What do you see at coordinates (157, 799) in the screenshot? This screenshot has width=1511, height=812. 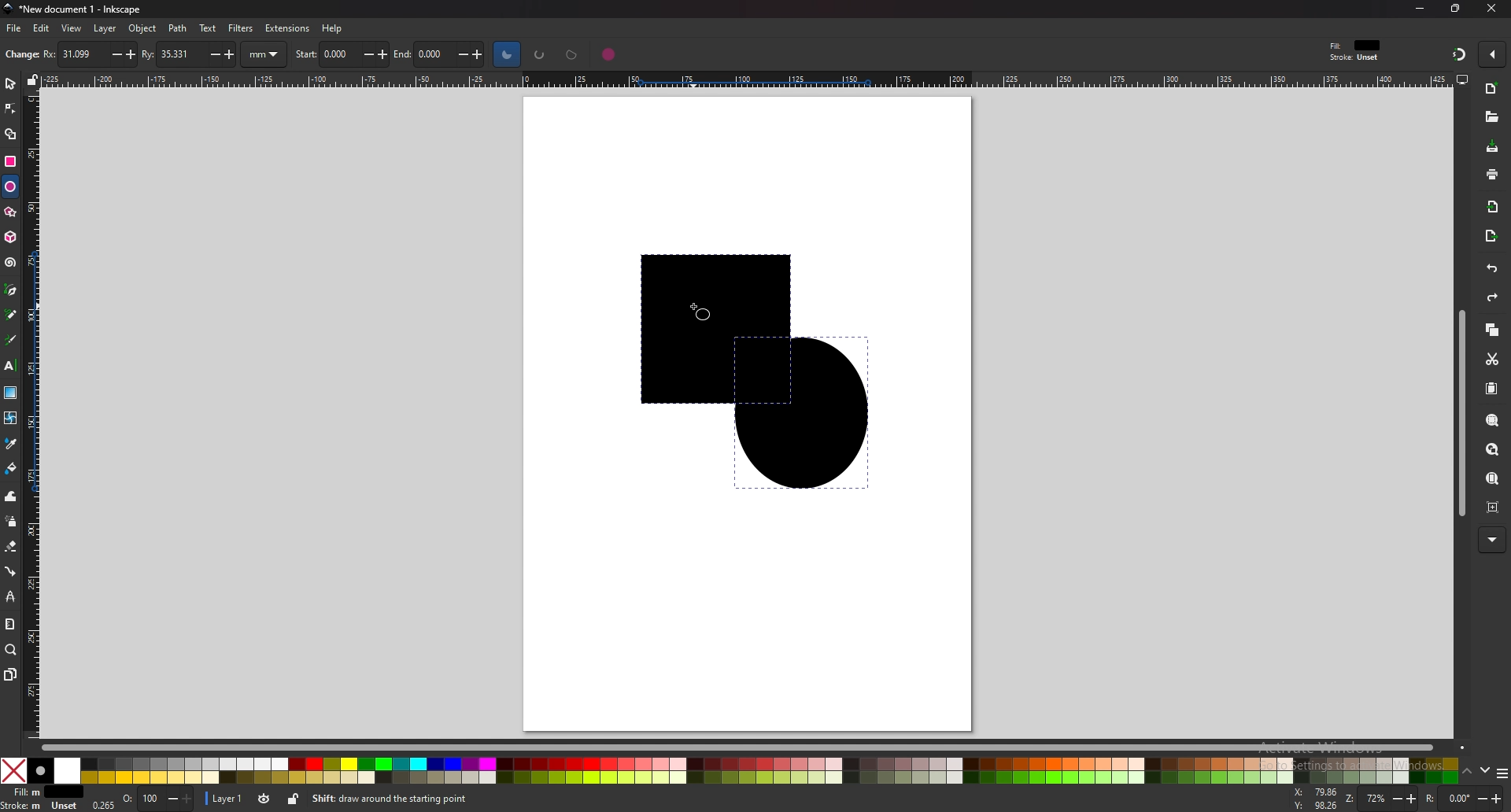 I see `opacity` at bounding box center [157, 799].